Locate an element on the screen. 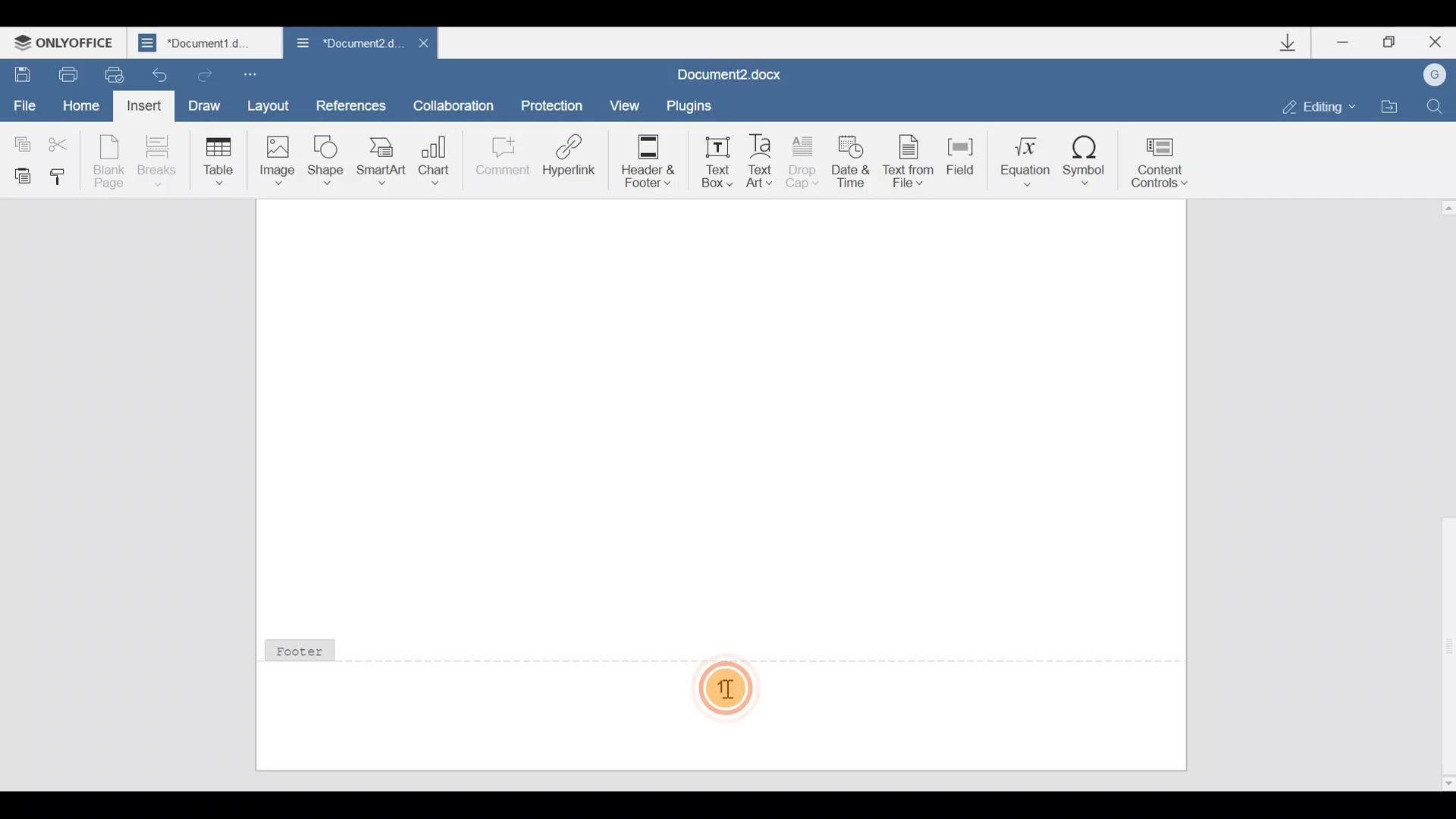  Document1.d.. is located at coordinates (206, 43).